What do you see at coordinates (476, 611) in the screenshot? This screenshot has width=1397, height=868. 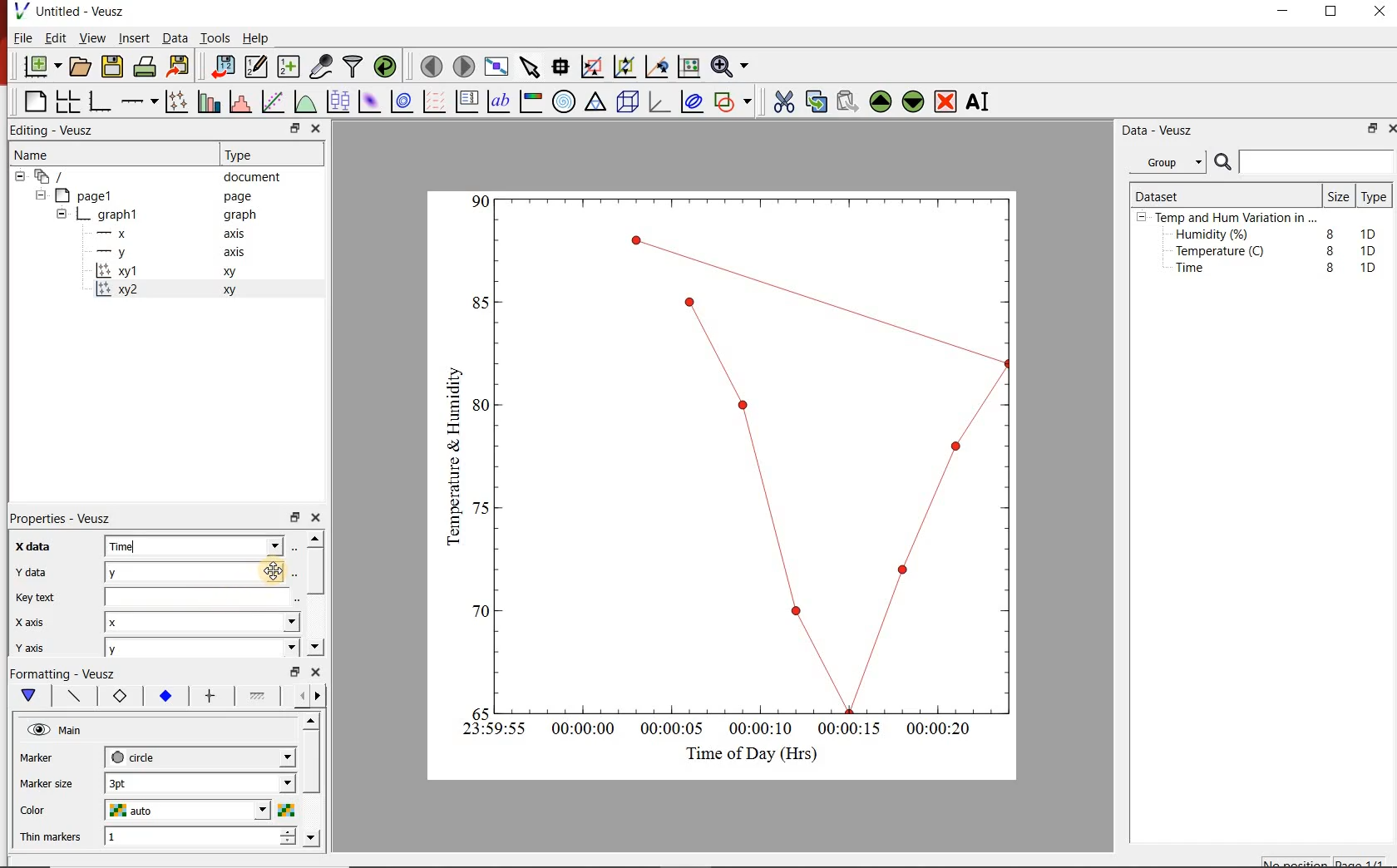 I see `0.2` at bounding box center [476, 611].